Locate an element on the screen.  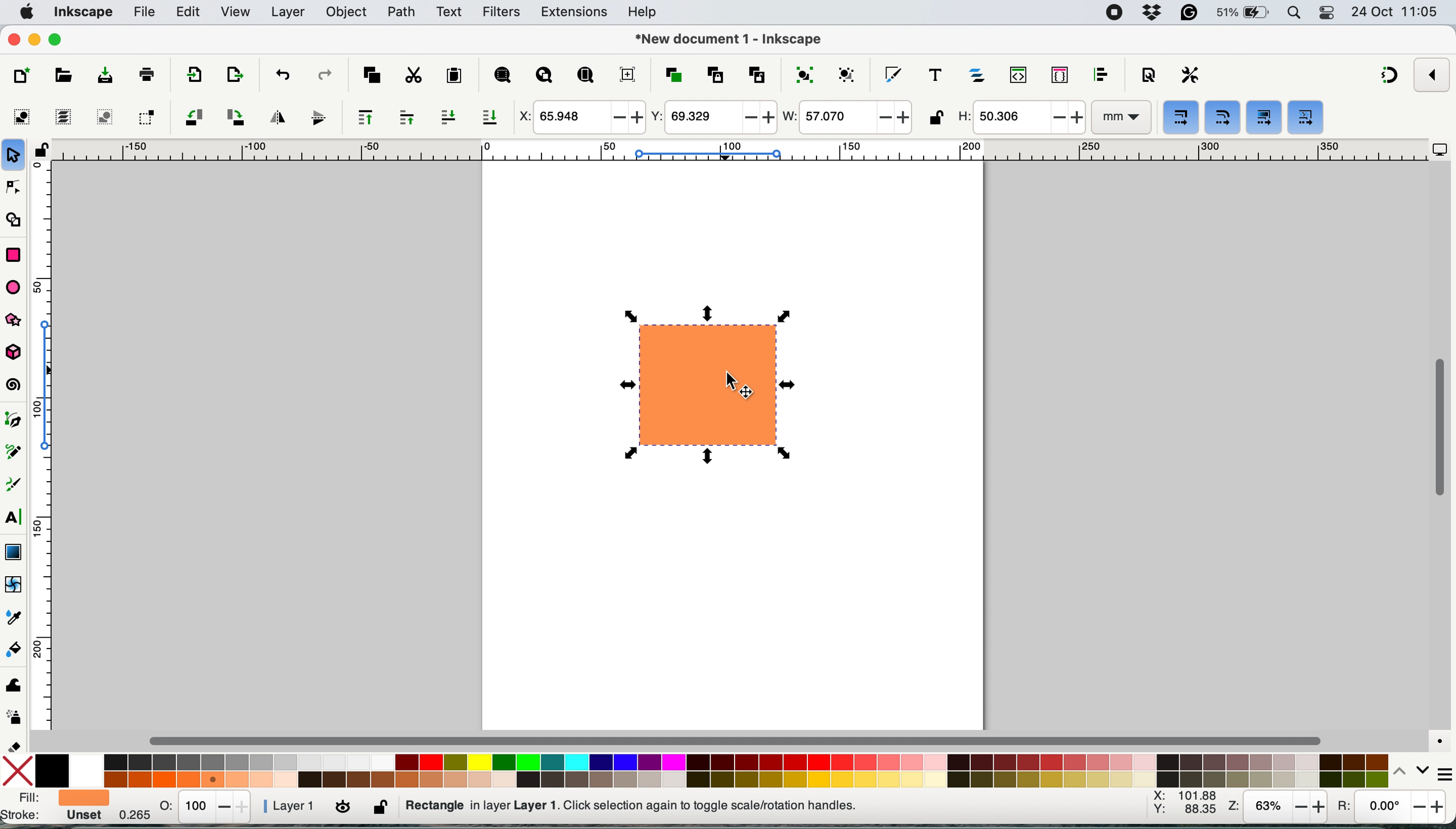
vertical scroll bar is located at coordinates (1439, 428).